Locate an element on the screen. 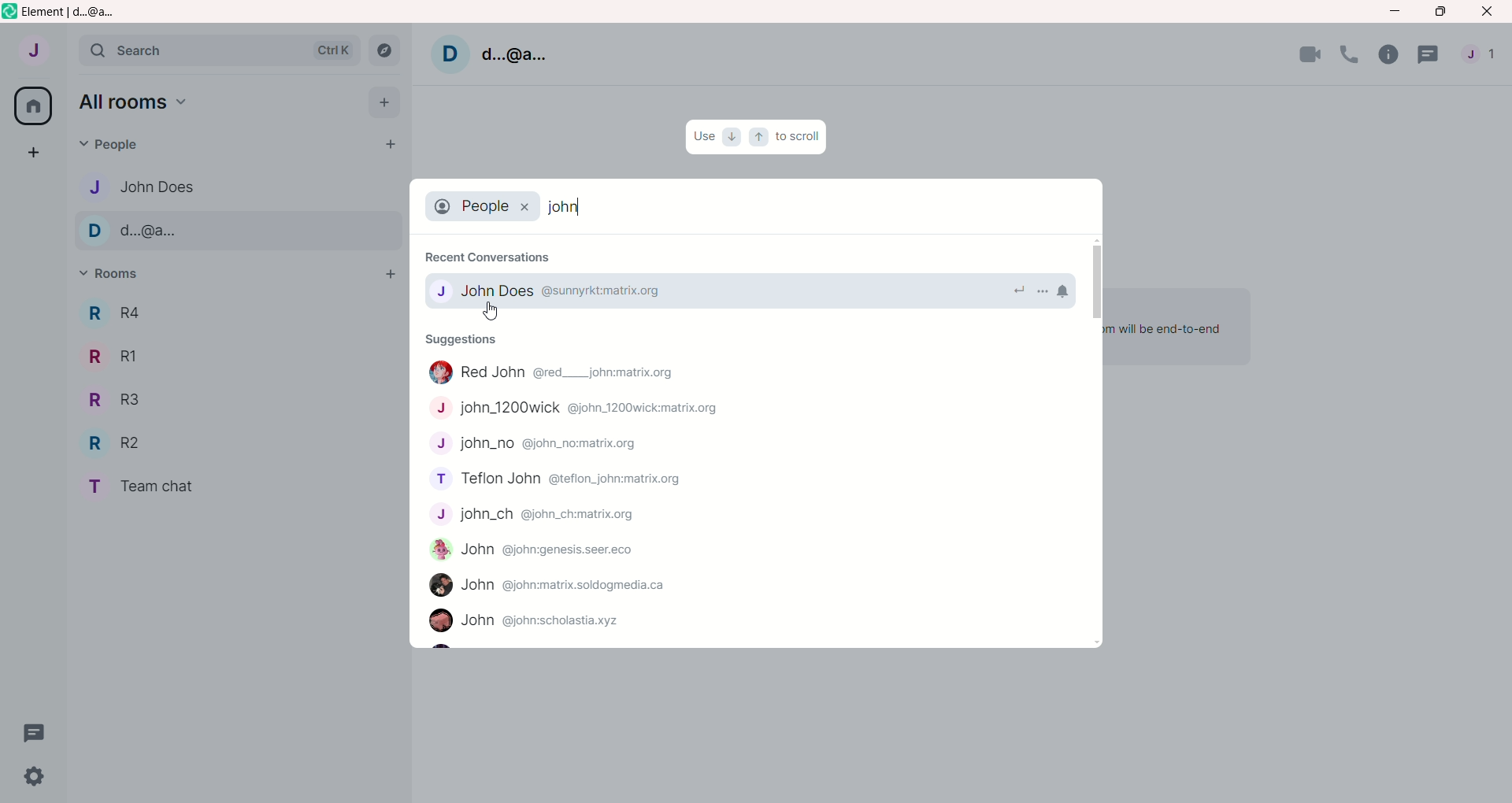 The height and width of the screenshot is (803, 1512). John Does is located at coordinates (565, 293).